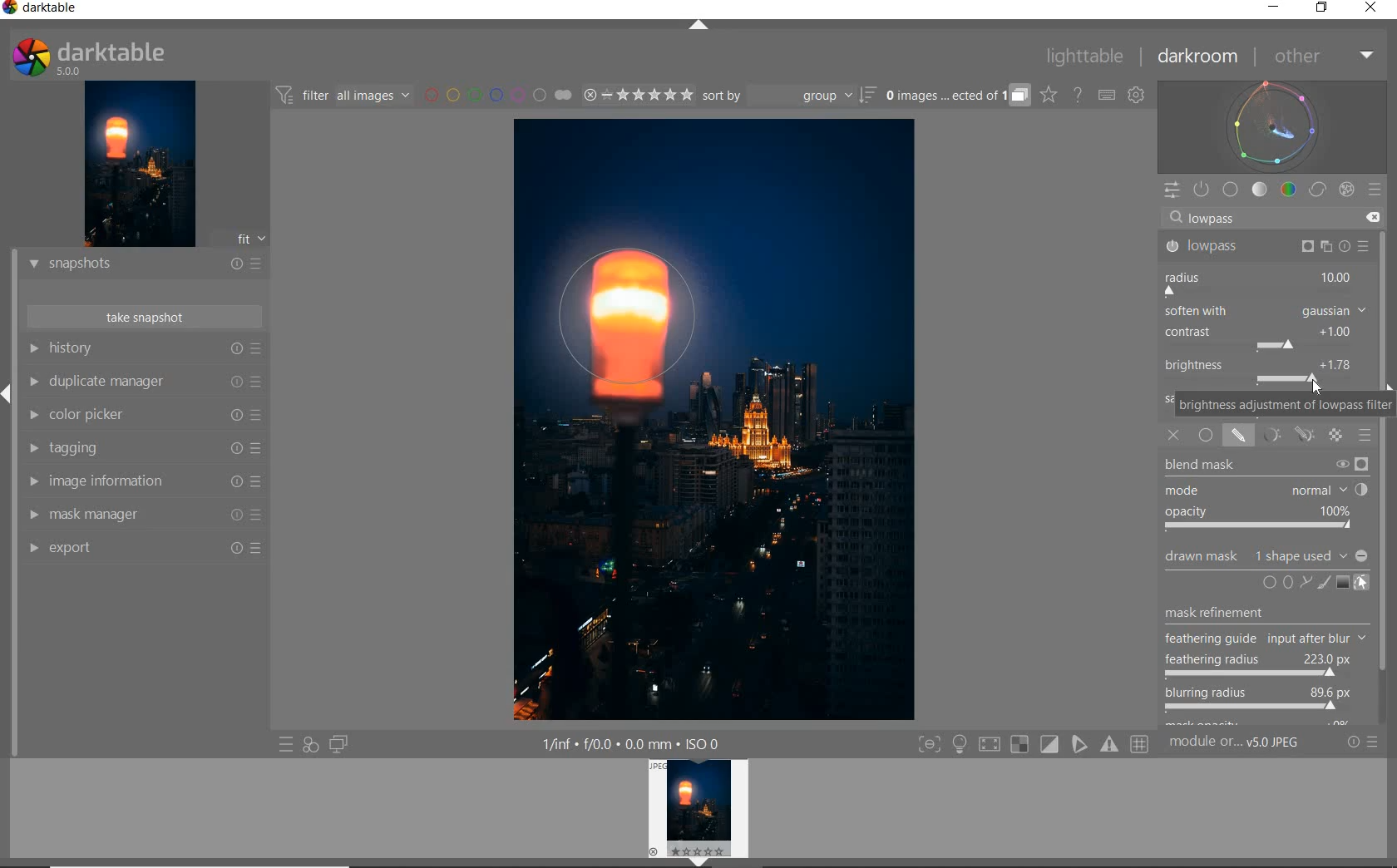  Describe the element at coordinates (1286, 436) in the screenshot. I see `MASK OPTIONS` at that location.